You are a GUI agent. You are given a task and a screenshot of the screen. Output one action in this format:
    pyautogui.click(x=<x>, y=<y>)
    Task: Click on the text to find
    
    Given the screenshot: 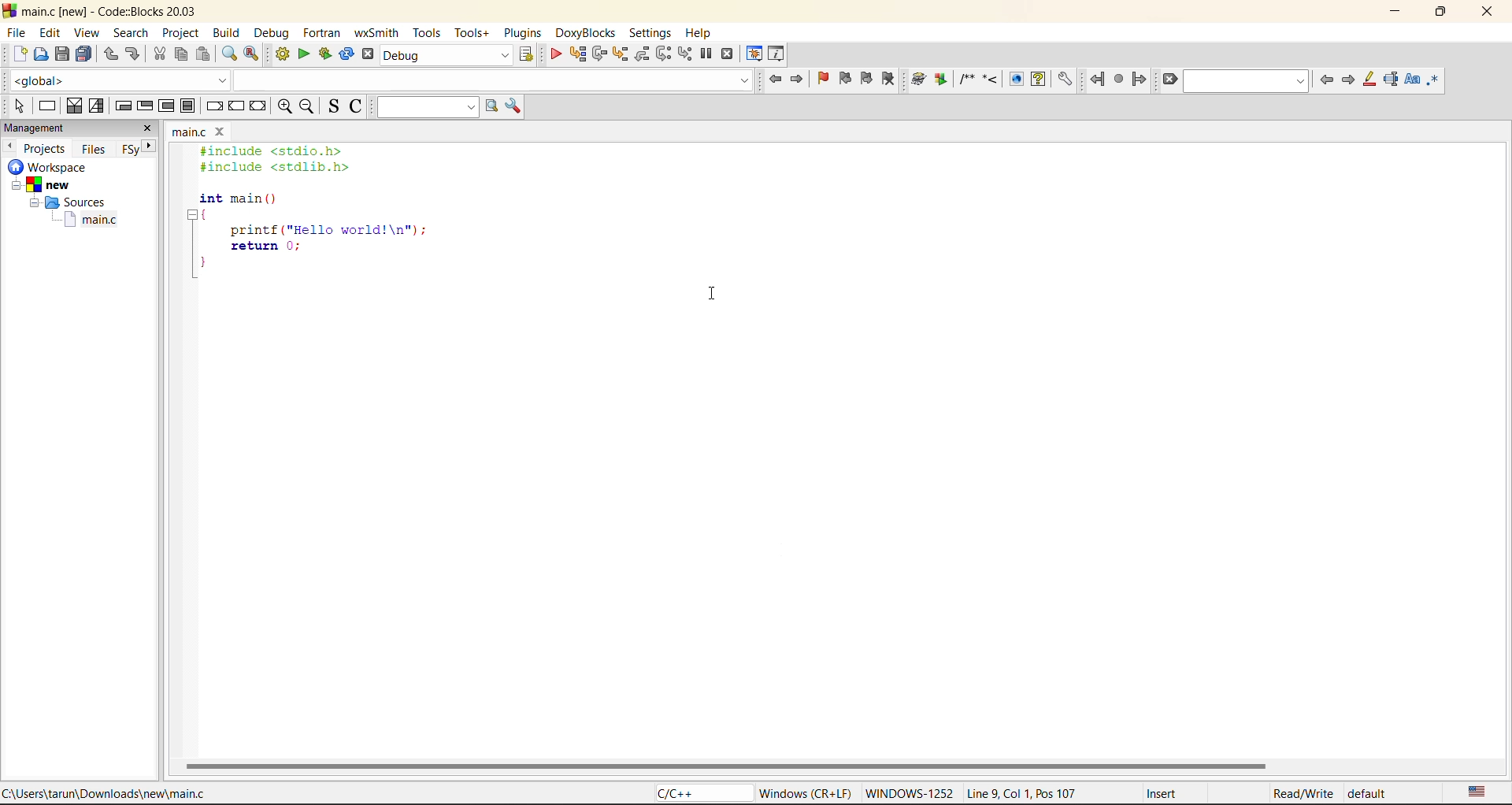 What is the action you would take?
    pyautogui.click(x=1247, y=81)
    